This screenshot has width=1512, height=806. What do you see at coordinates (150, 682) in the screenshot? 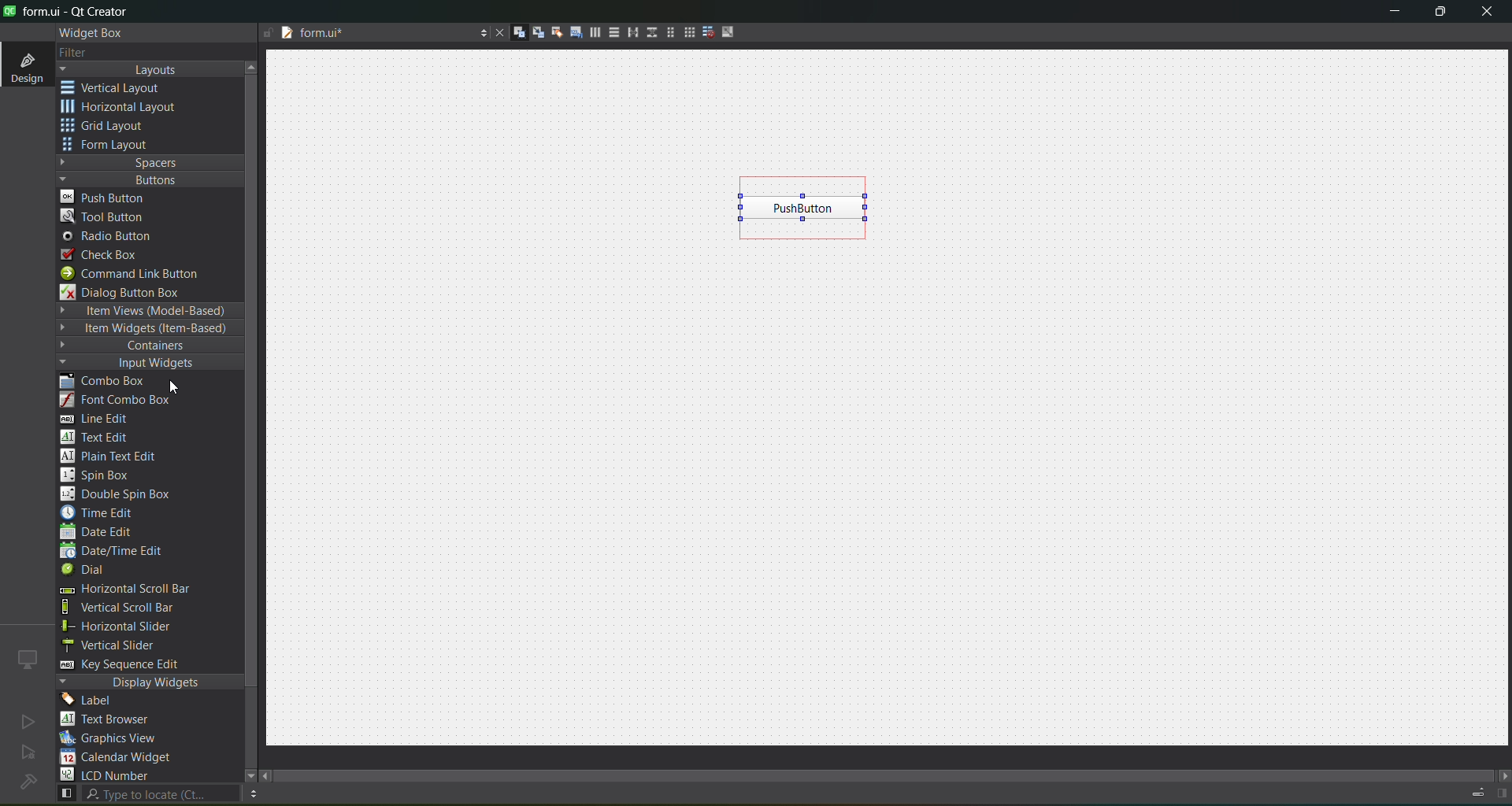
I see `display widgets` at bounding box center [150, 682].